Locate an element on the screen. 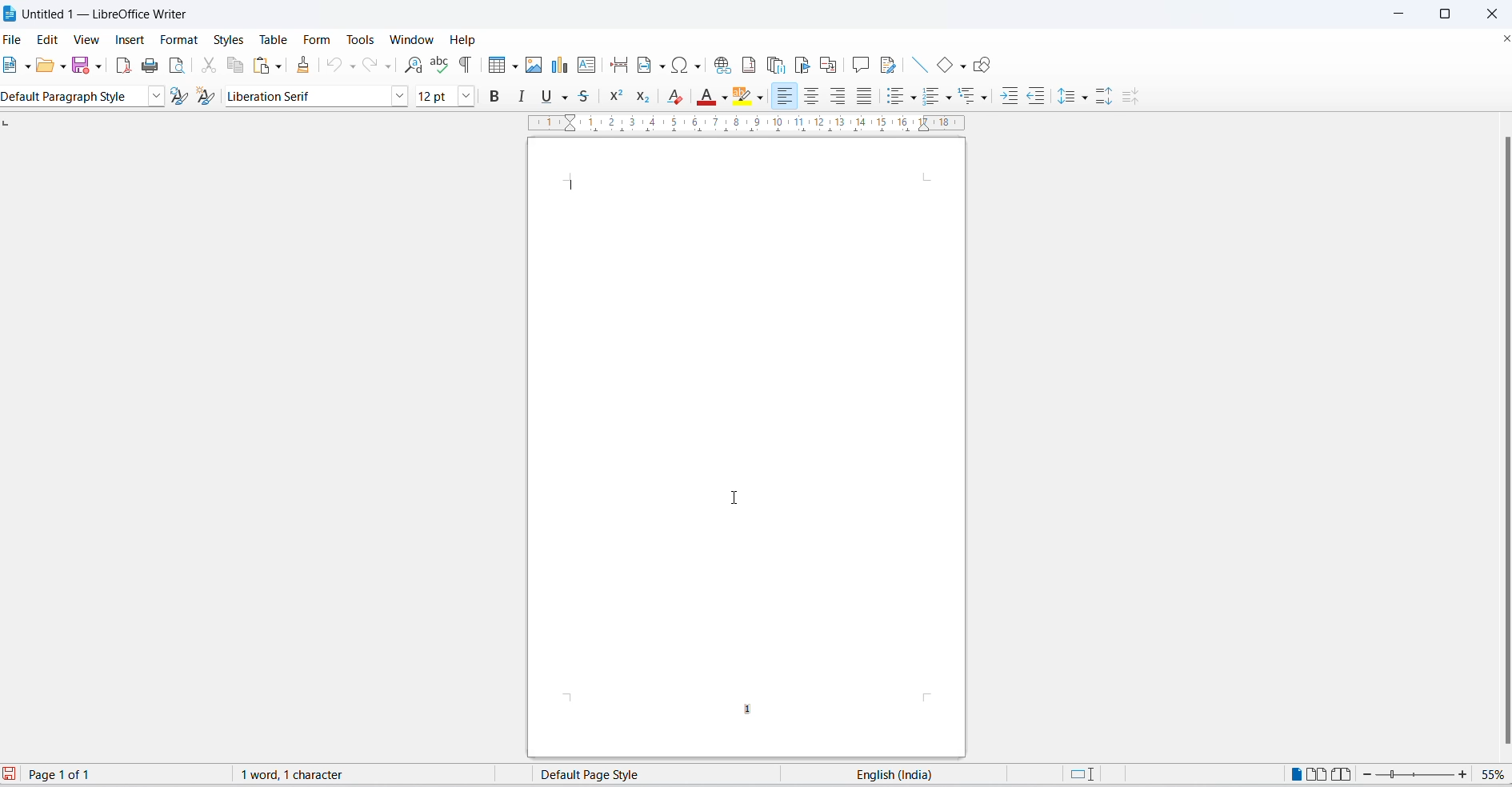 This screenshot has height=787, width=1512. font size options is located at coordinates (466, 95).